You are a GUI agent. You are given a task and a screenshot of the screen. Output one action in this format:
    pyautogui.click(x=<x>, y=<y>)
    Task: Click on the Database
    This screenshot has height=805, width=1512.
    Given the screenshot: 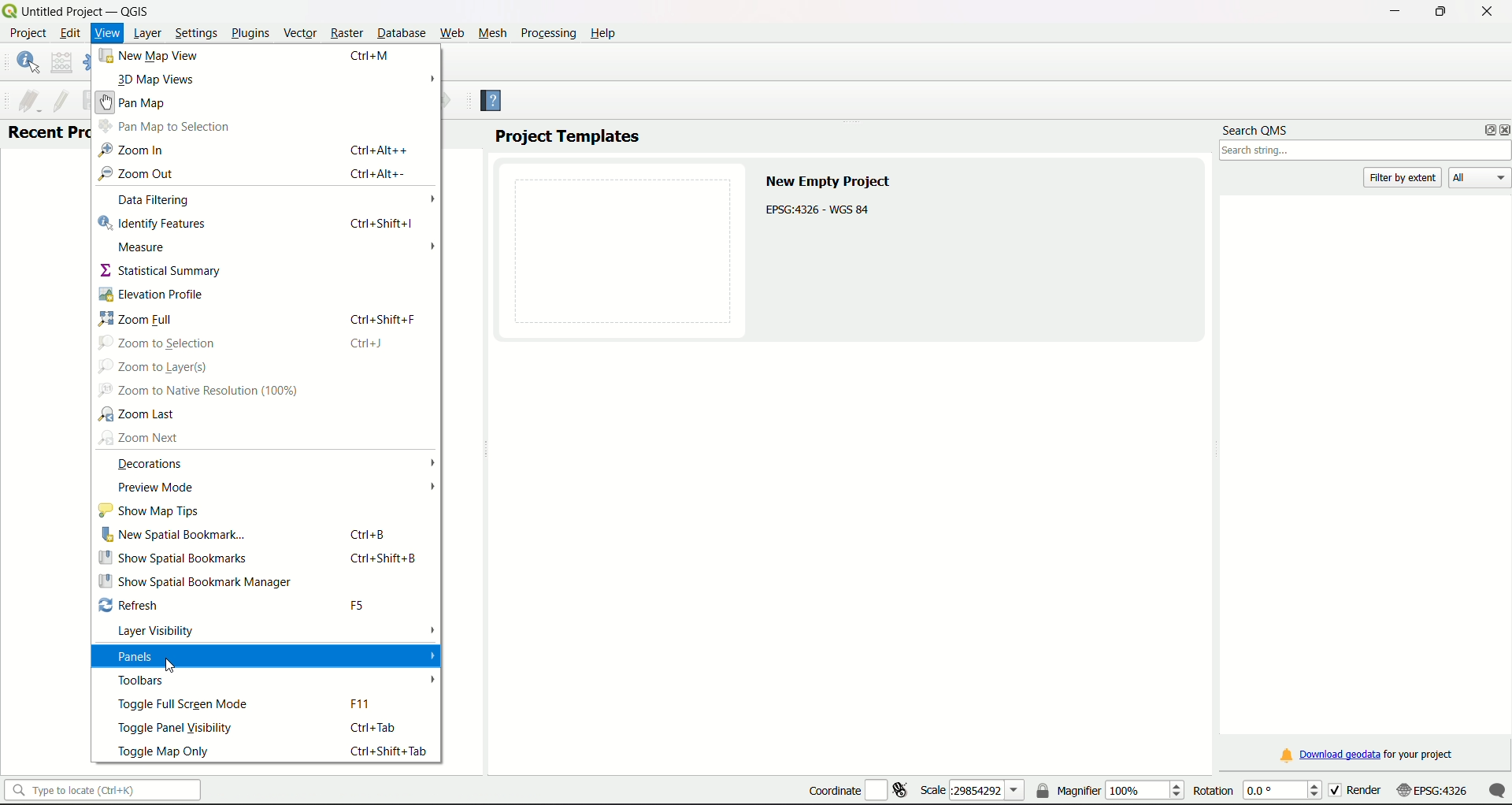 What is the action you would take?
    pyautogui.click(x=399, y=33)
    